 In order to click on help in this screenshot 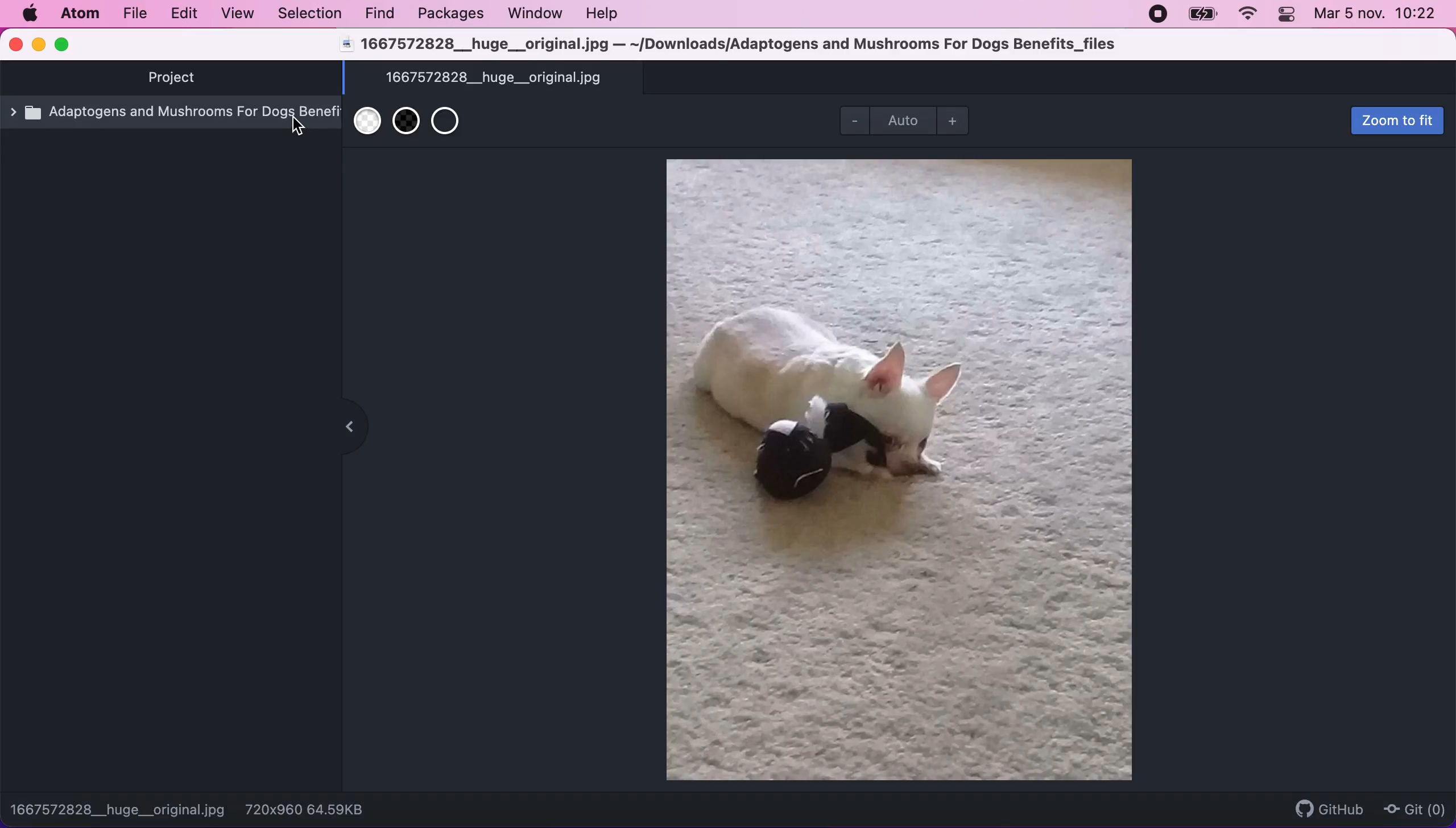, I will do `click(604, 15)`.